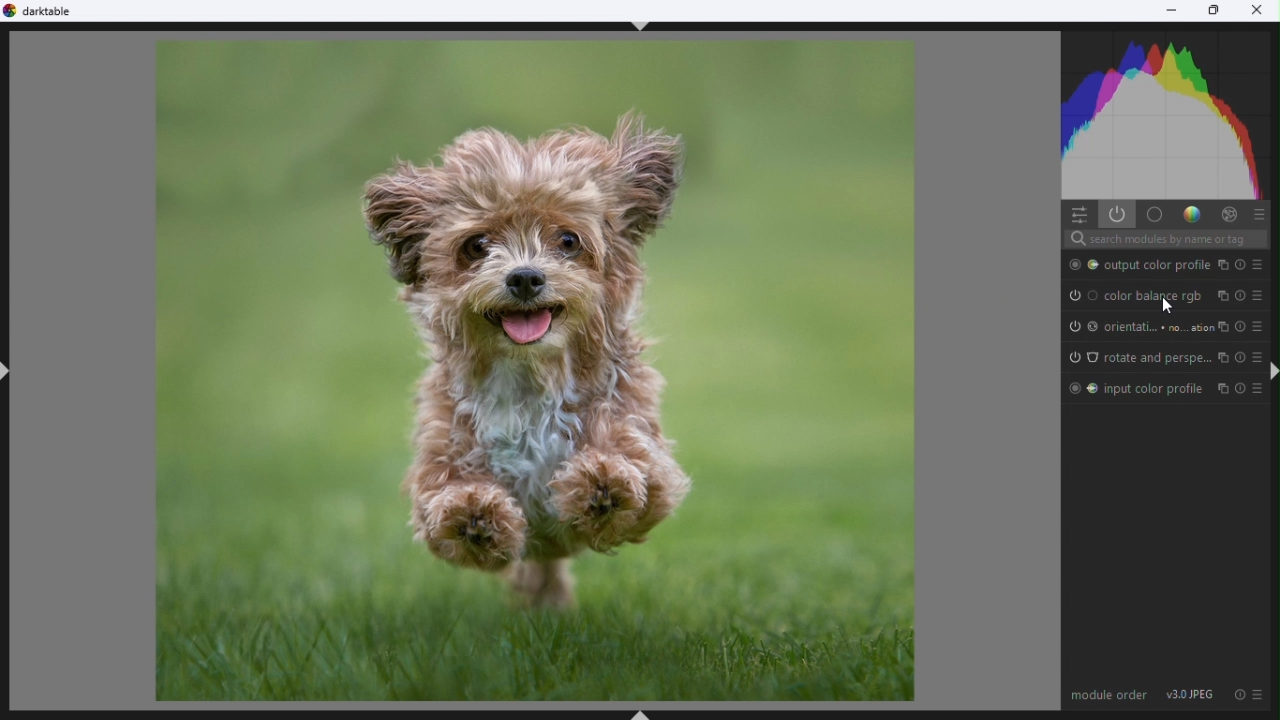  What do you see at coordinates (1167, 358) in the screenshot?
I see `rotate And perspective` at bounding box center [1167, 358].